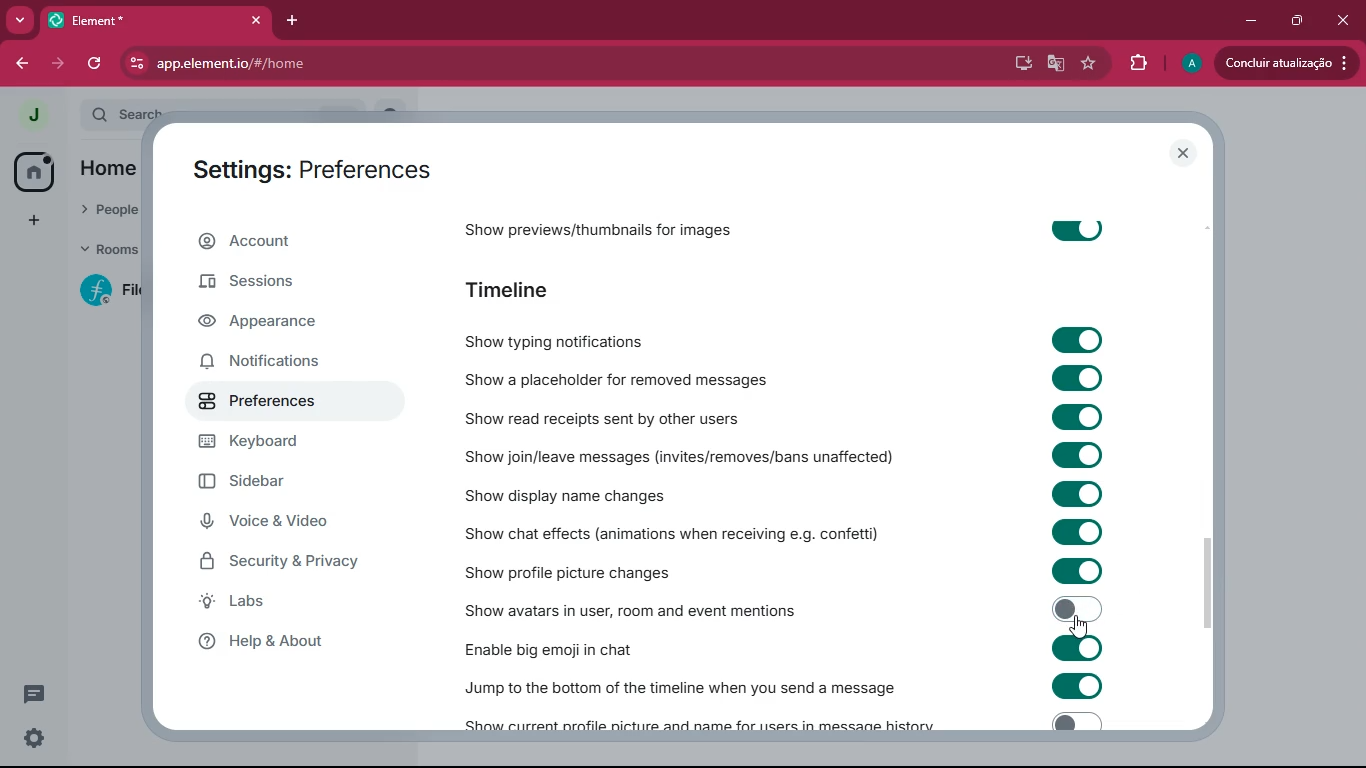  What do you see at coordinates (601, 336) in the screenshot?
I see `show typing notifications` at bounding box center [601, 336].